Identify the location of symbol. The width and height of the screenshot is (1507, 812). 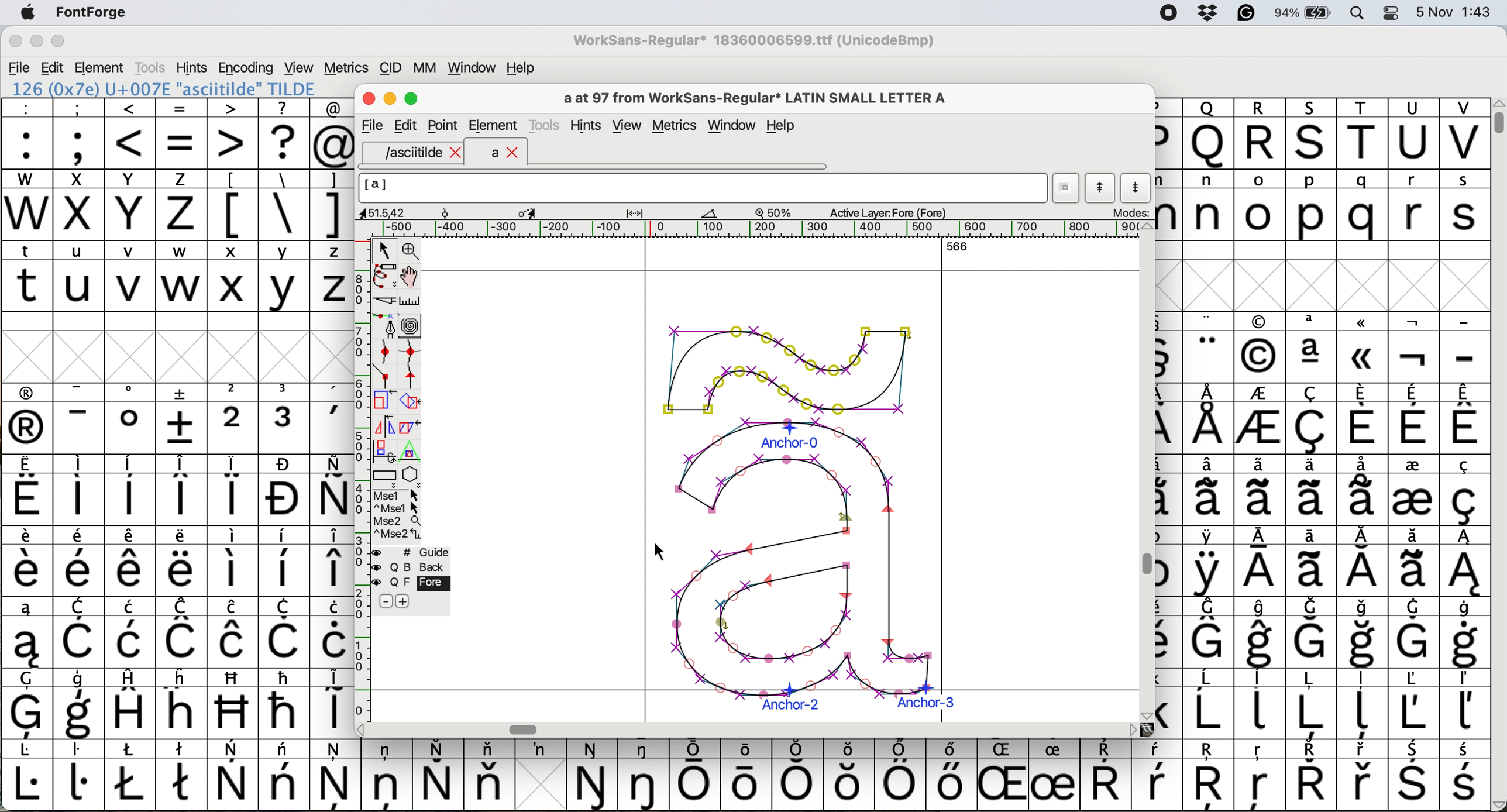
(28, 419).